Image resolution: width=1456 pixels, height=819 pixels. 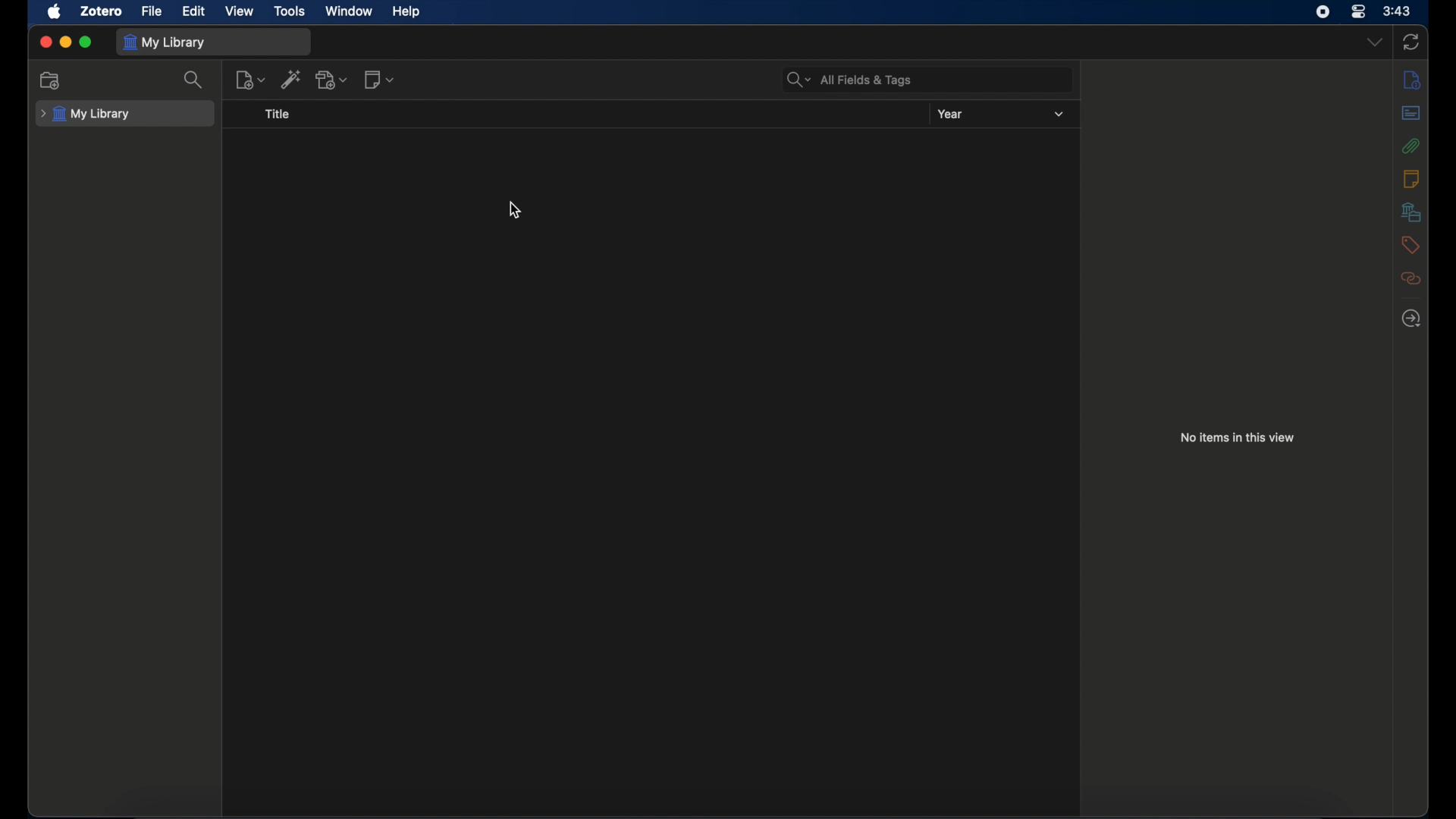 What do you see at coordinates (333, 80) in the screenshot?
I see `add attachment` at bounding box center [333, 80].